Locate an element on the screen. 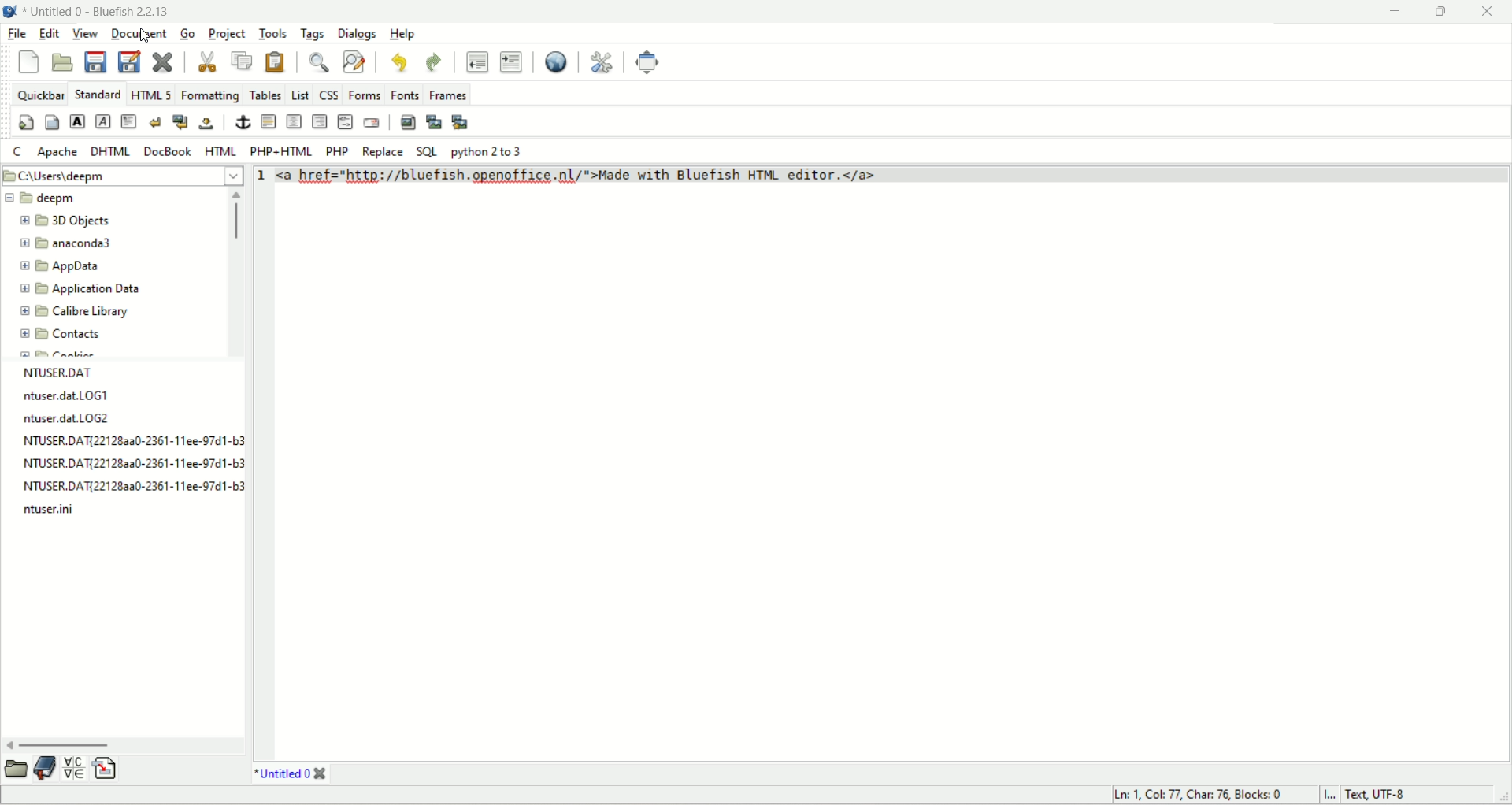 This screenshot has width=1512, height=805. text is located at coordinates (128, 444).